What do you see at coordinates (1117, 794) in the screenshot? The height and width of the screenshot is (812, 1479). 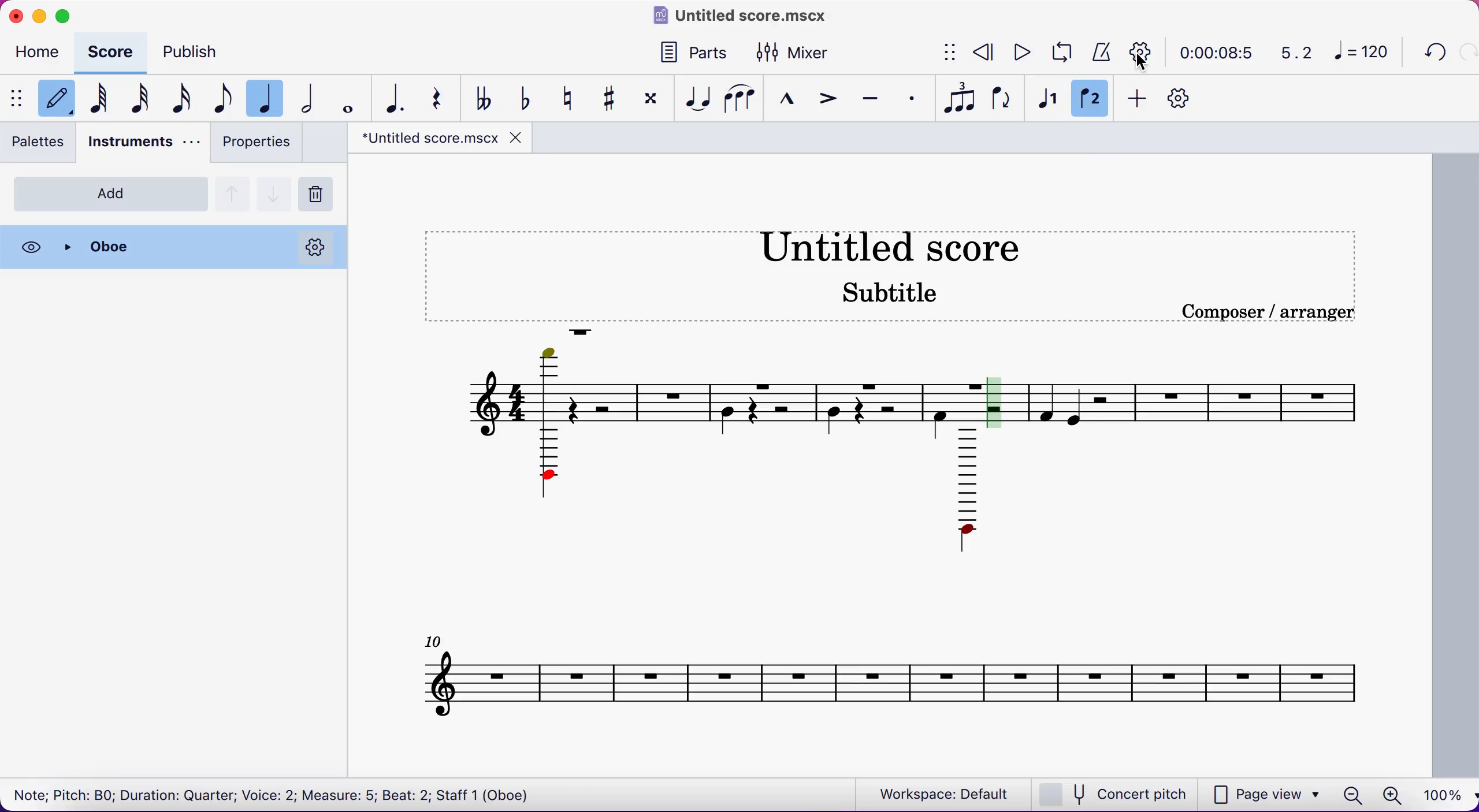 I see `concert pitch` at bounding box center [1117, 794].